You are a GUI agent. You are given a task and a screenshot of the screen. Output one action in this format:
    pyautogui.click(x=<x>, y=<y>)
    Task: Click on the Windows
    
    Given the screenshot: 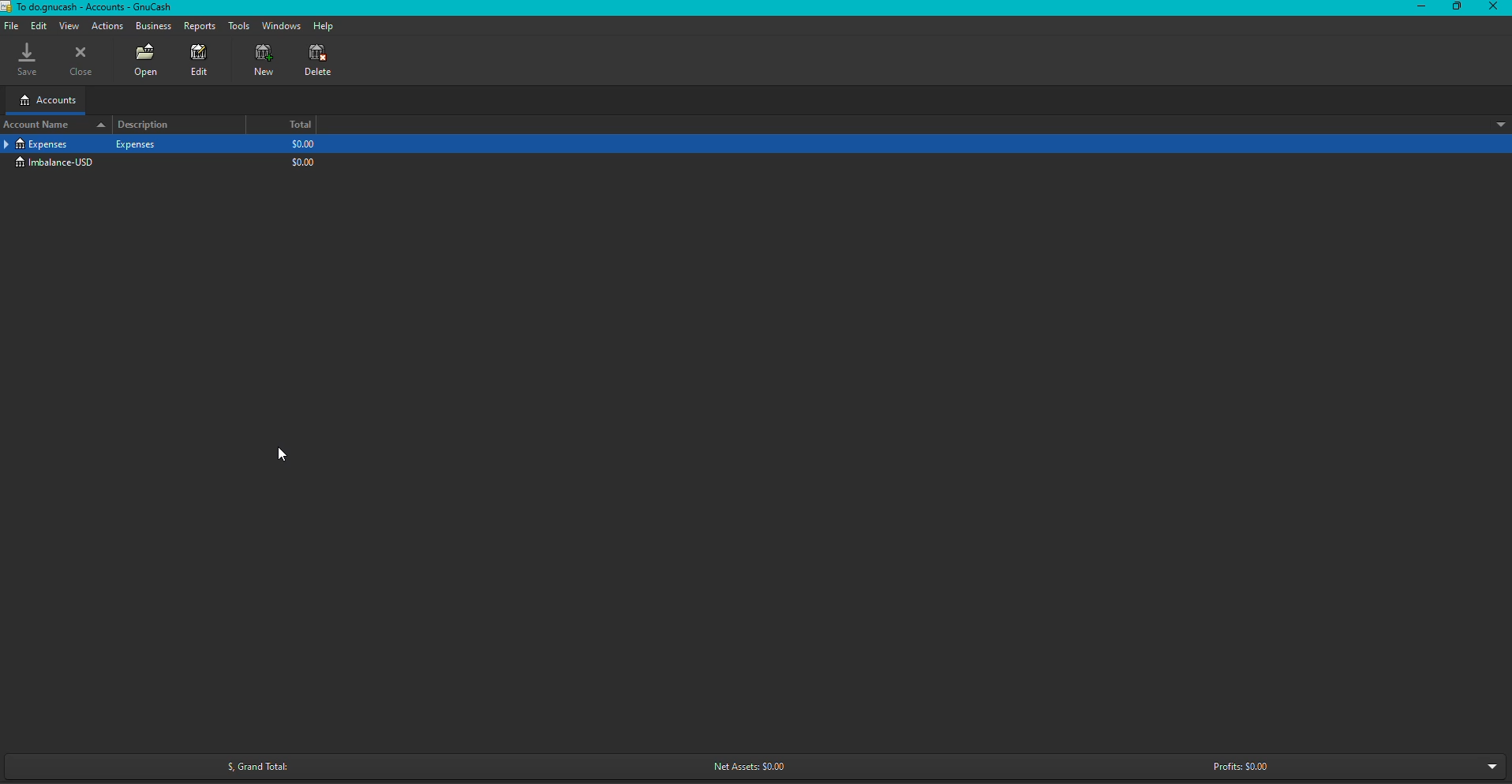 What is the action you would take?
    pyautogui.click(x=280, y=26)
    